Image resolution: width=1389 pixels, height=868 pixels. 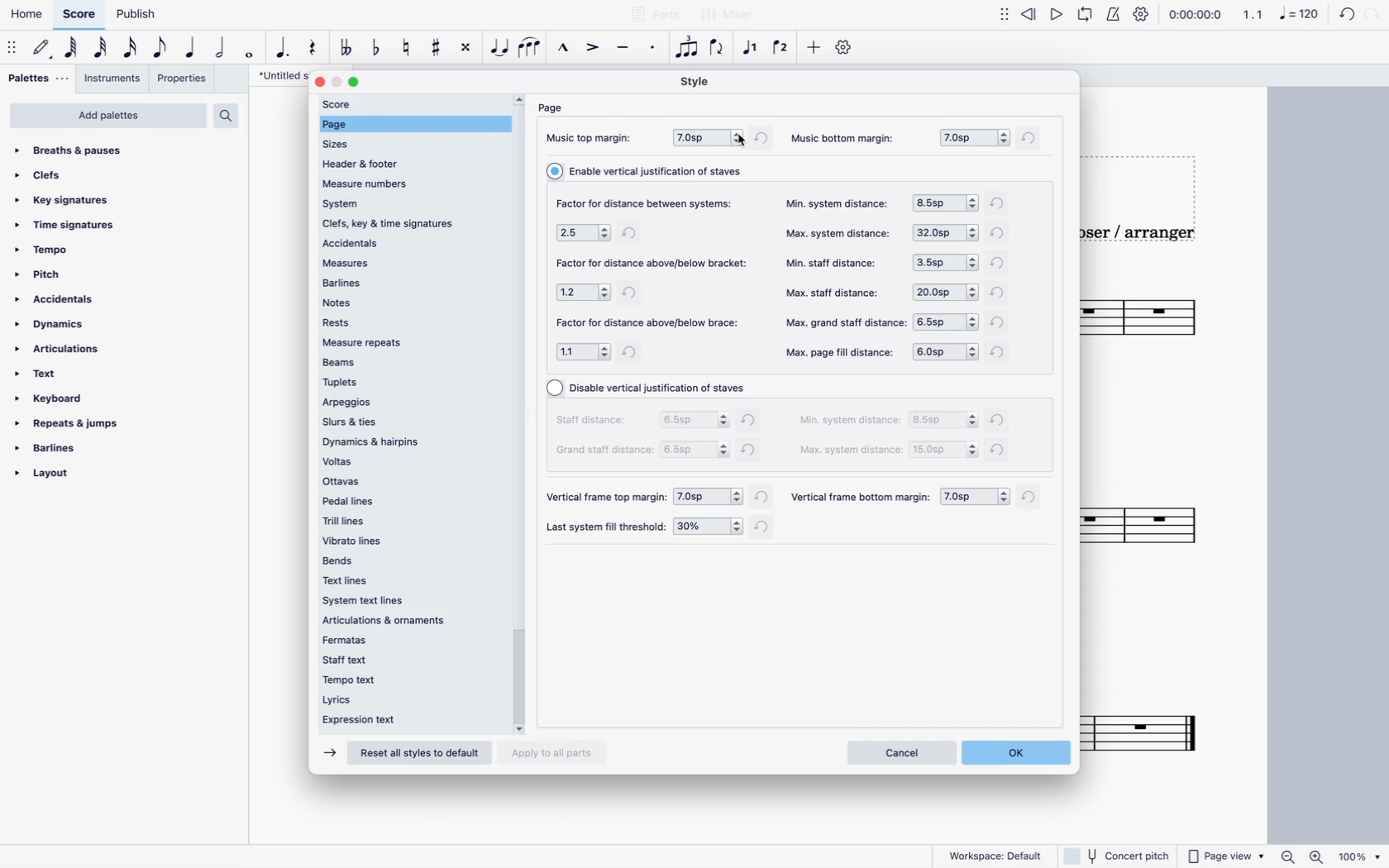 What do you see at coordinates (70, 50) in the screenshot?
I see `64th note` at bounding box center [70, 50].